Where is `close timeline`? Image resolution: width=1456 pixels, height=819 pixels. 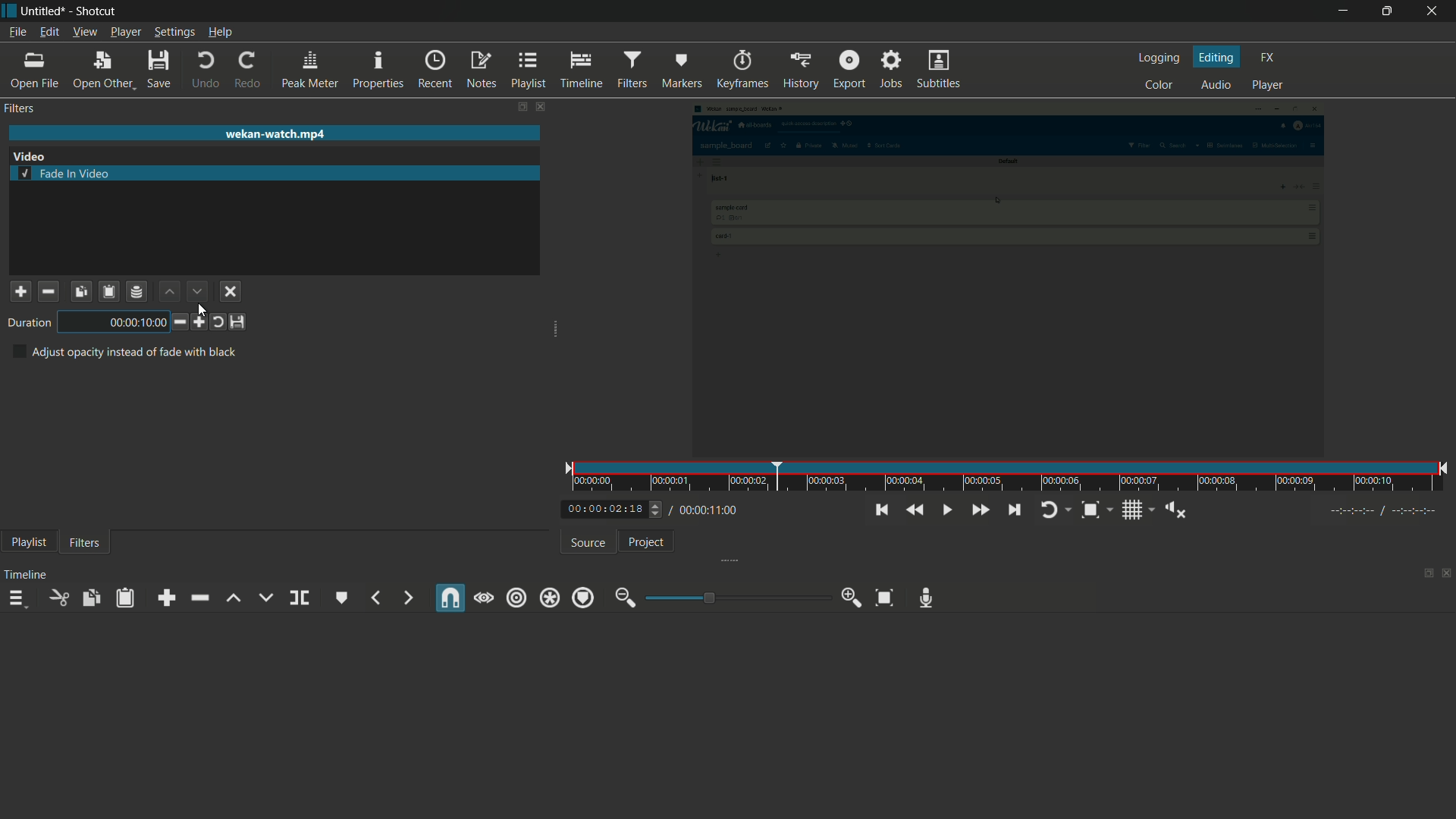
close timeline is located at coordinates (1447, 571).